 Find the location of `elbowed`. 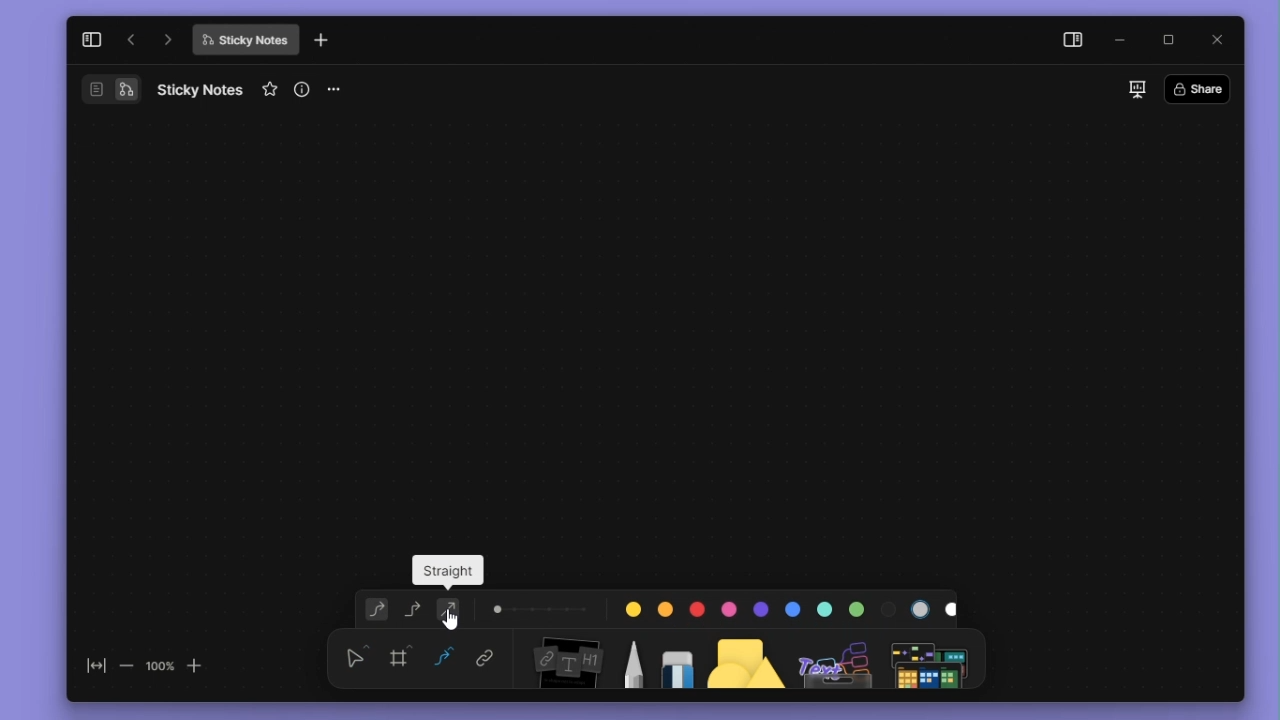

elbowed is located at coordinates (413, 607).